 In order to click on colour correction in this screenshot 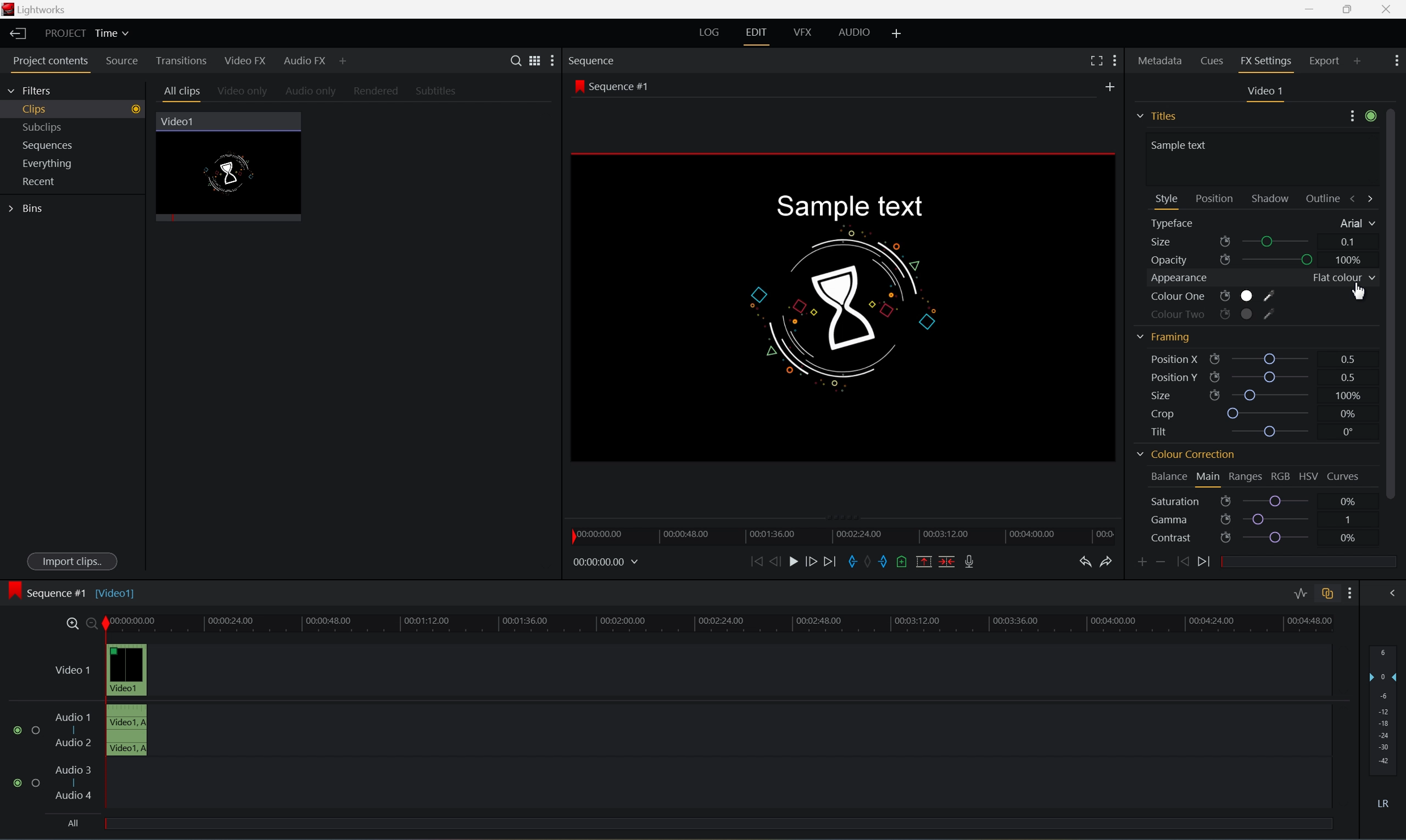, I will do `click(1185, 456)`.